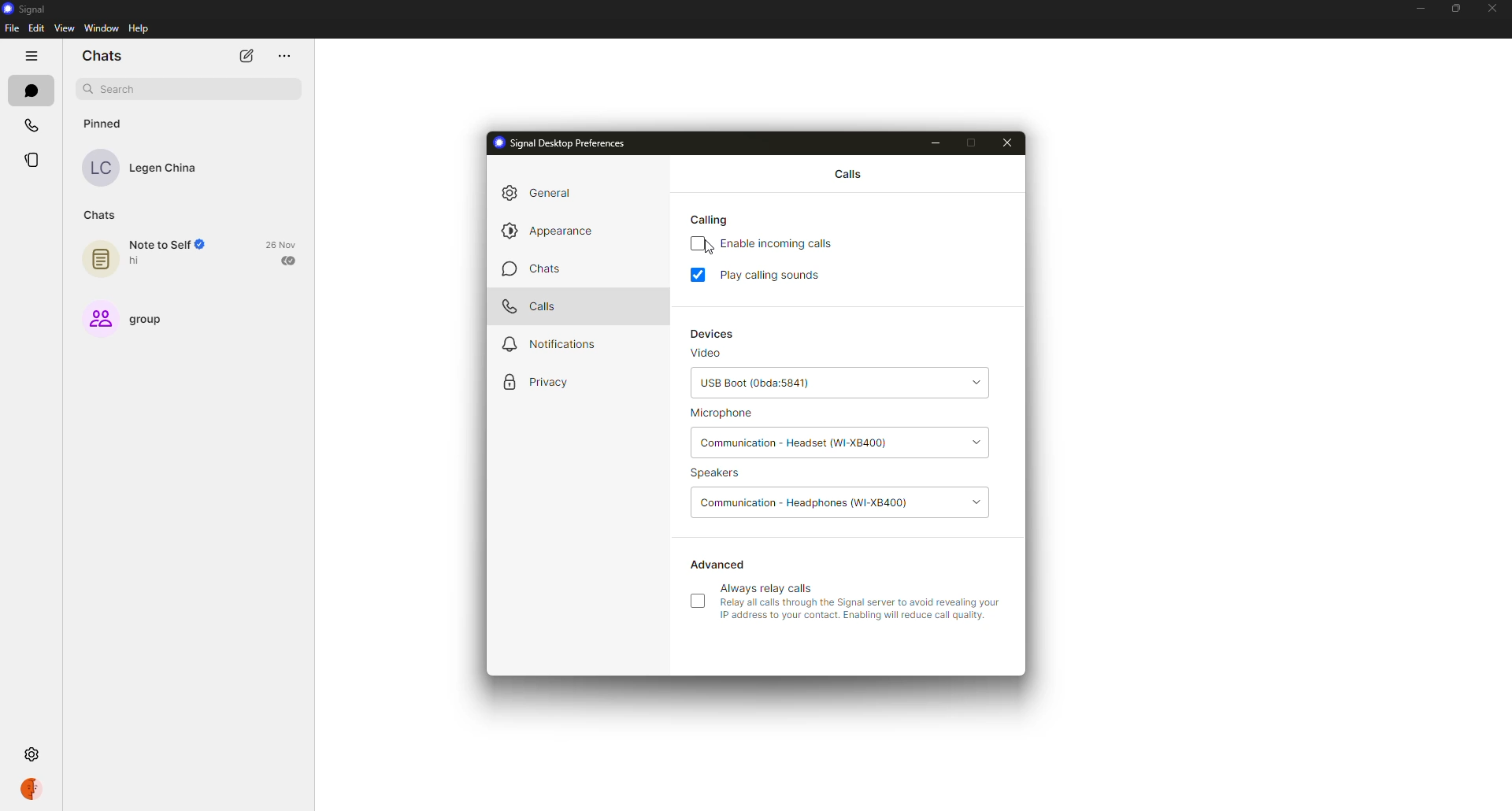  What do you see at coordinates (547, 194) in the screenshot?
I see `general` at bounding box center [547, 194].